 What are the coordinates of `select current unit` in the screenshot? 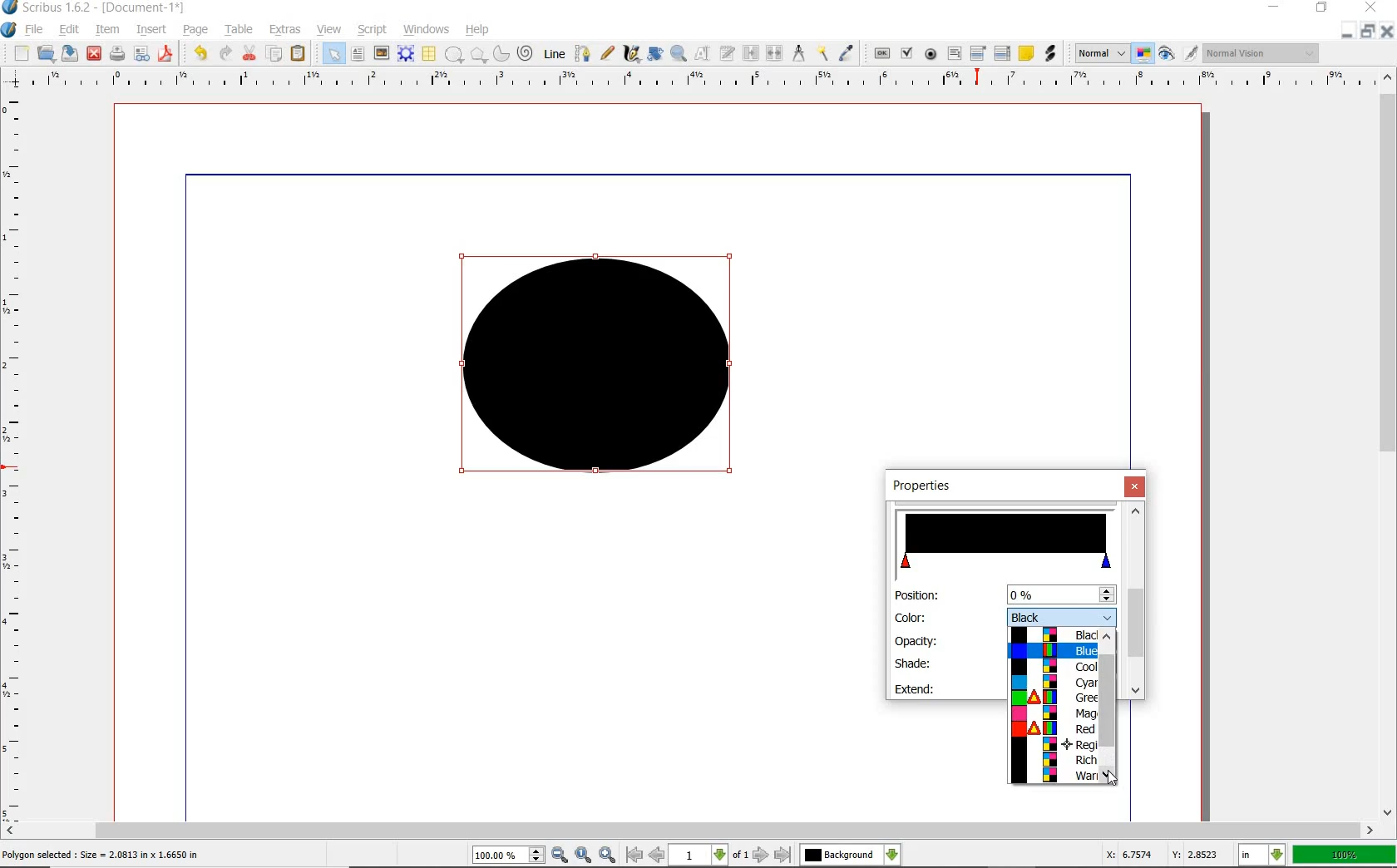 It's located at (1261, 853).